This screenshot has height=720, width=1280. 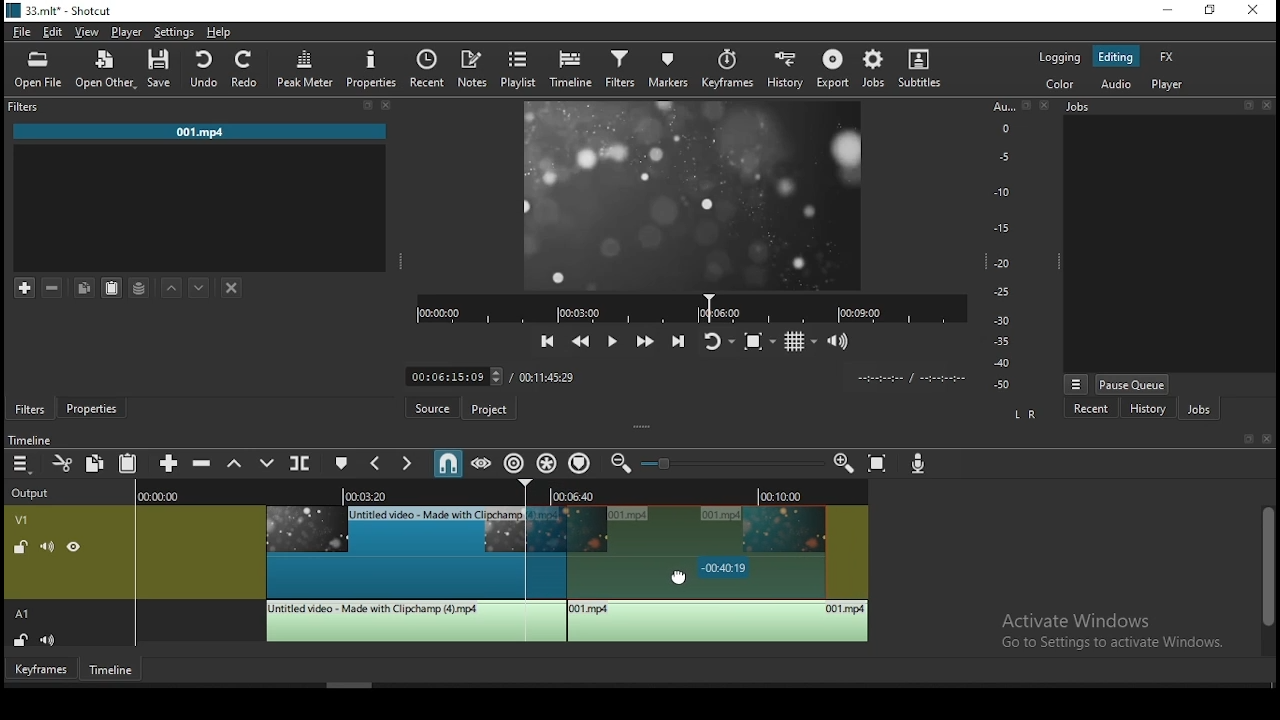 What do you see at coordinates (921, 68) in the screenshot?
I see `subtitle` at bounding box center [921, 68].